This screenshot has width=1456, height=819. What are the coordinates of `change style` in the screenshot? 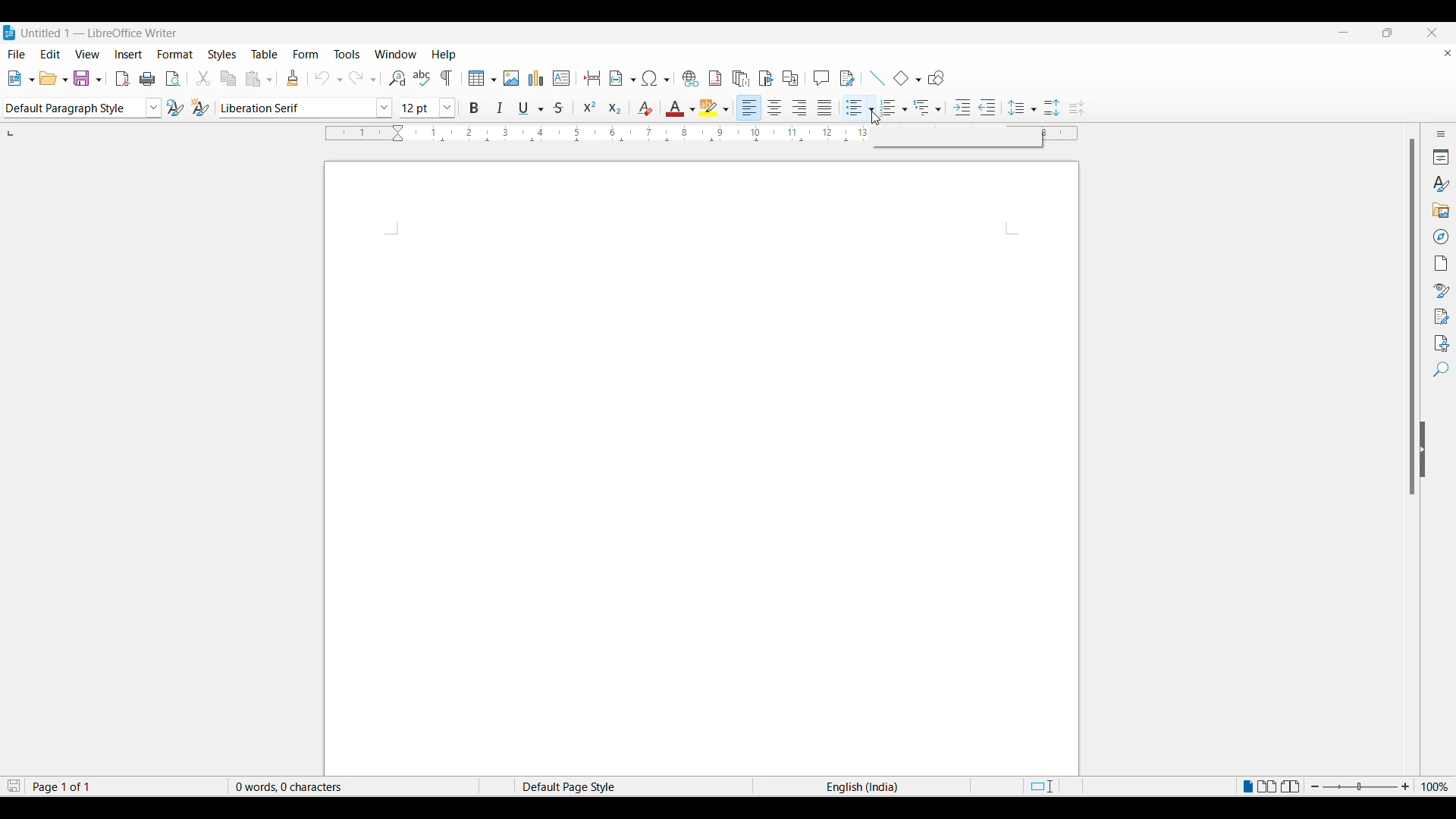 It's located at (201, 108).